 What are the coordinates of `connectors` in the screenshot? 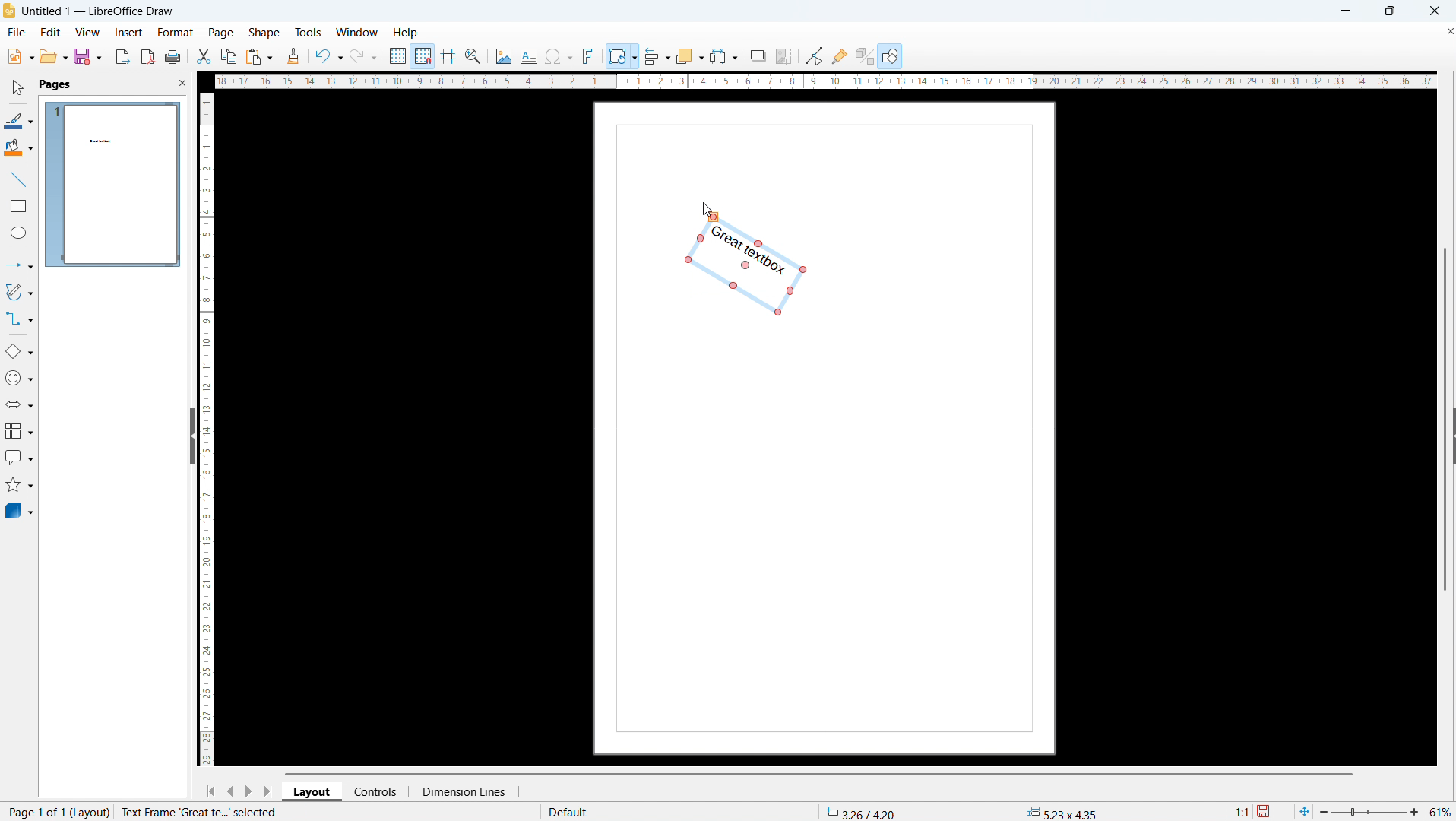 It's located at (19, 320).